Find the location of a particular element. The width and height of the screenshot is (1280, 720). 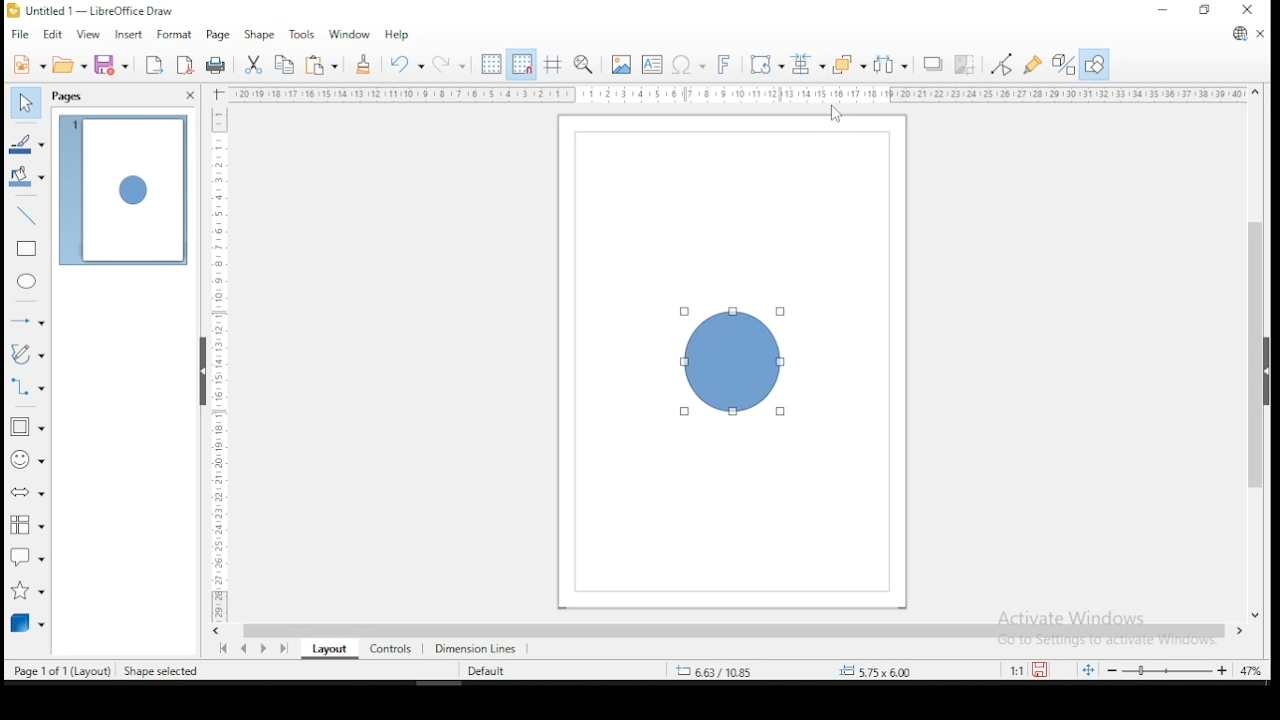

format is located at coordinates (172, 32).